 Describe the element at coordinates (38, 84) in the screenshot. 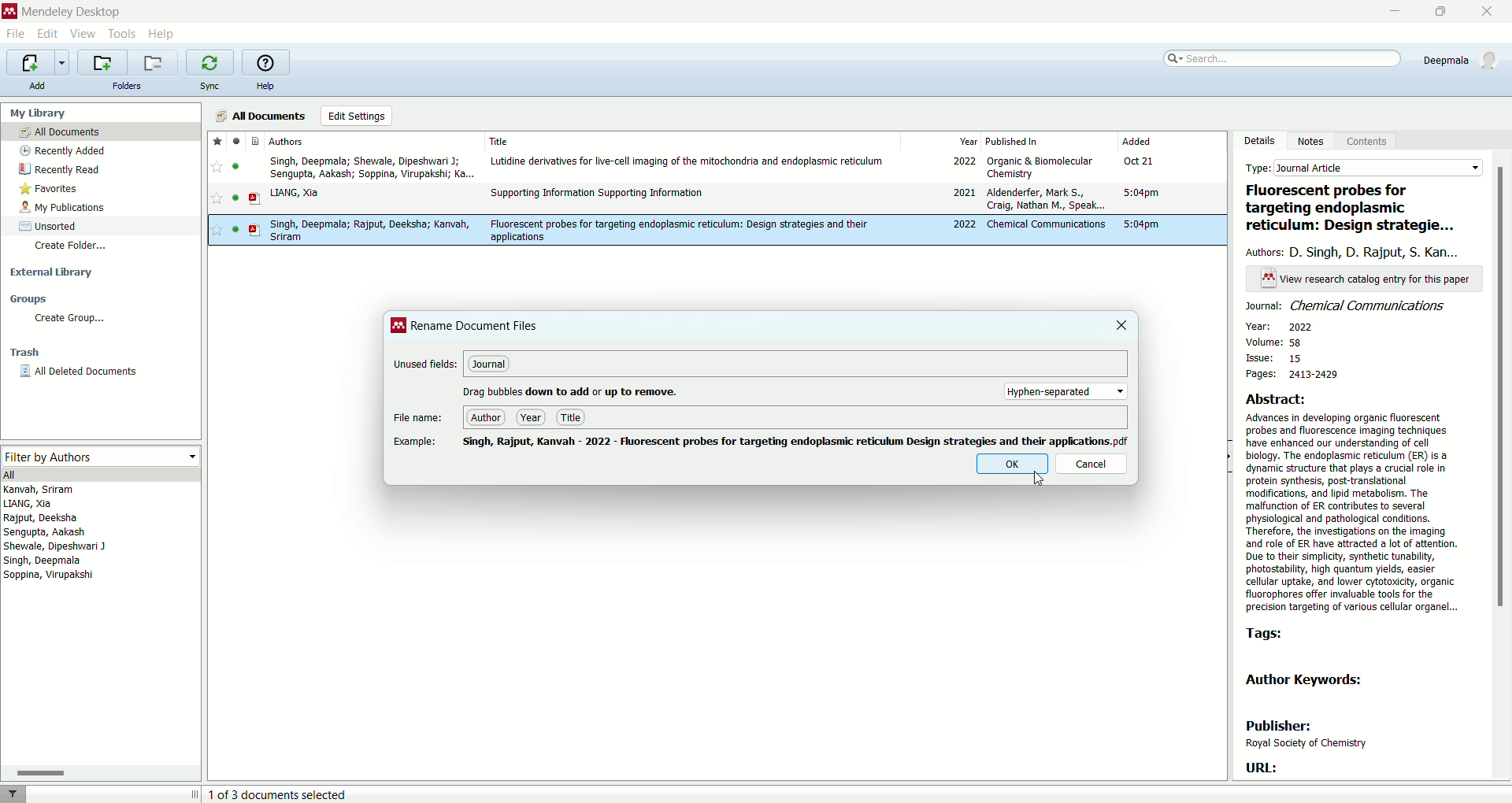

I see `add` at that location.